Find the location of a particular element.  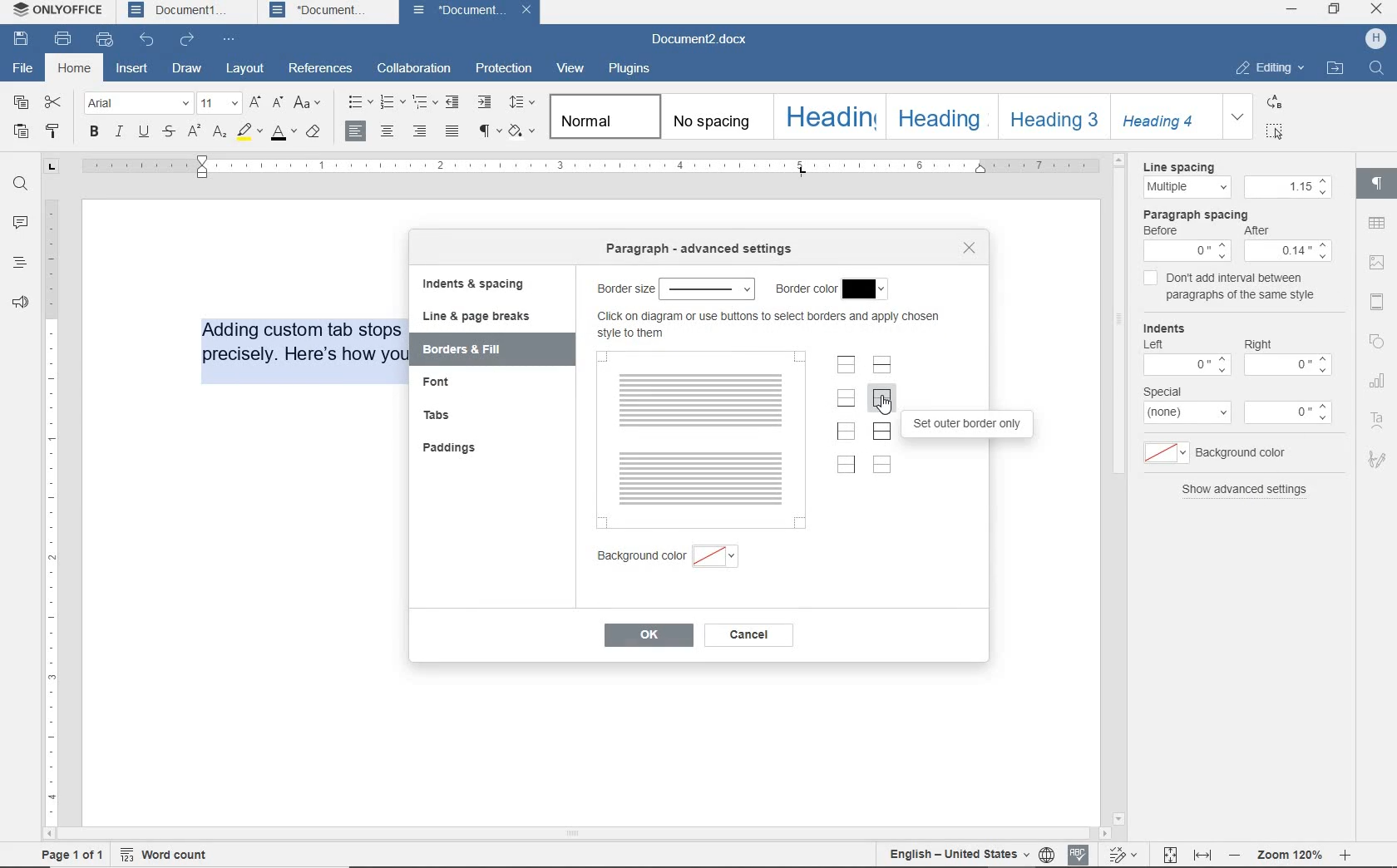

bold is located at coordinates (95, 133).